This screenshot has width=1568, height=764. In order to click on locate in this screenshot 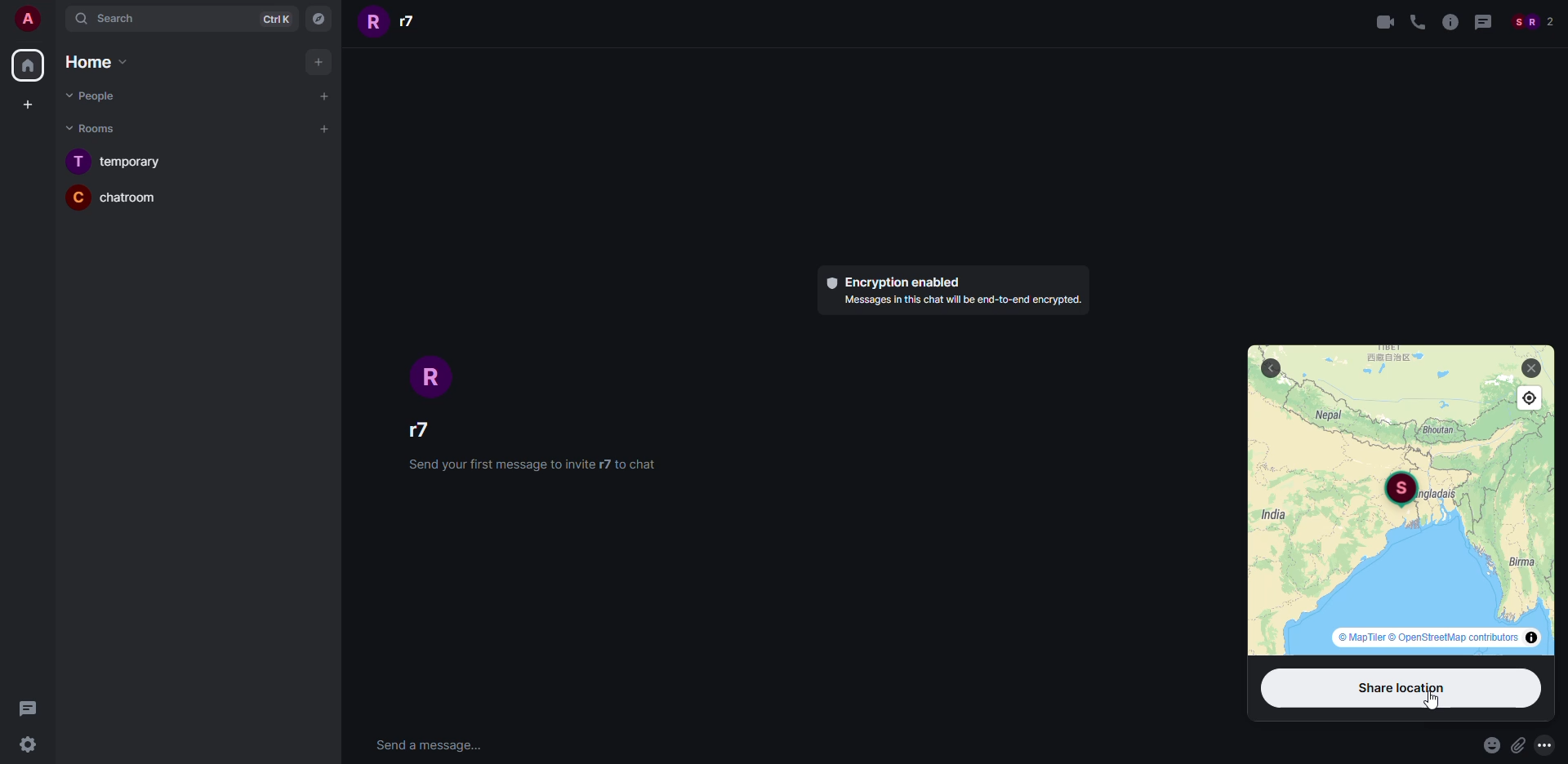, I will do `click(1530, 398)`.